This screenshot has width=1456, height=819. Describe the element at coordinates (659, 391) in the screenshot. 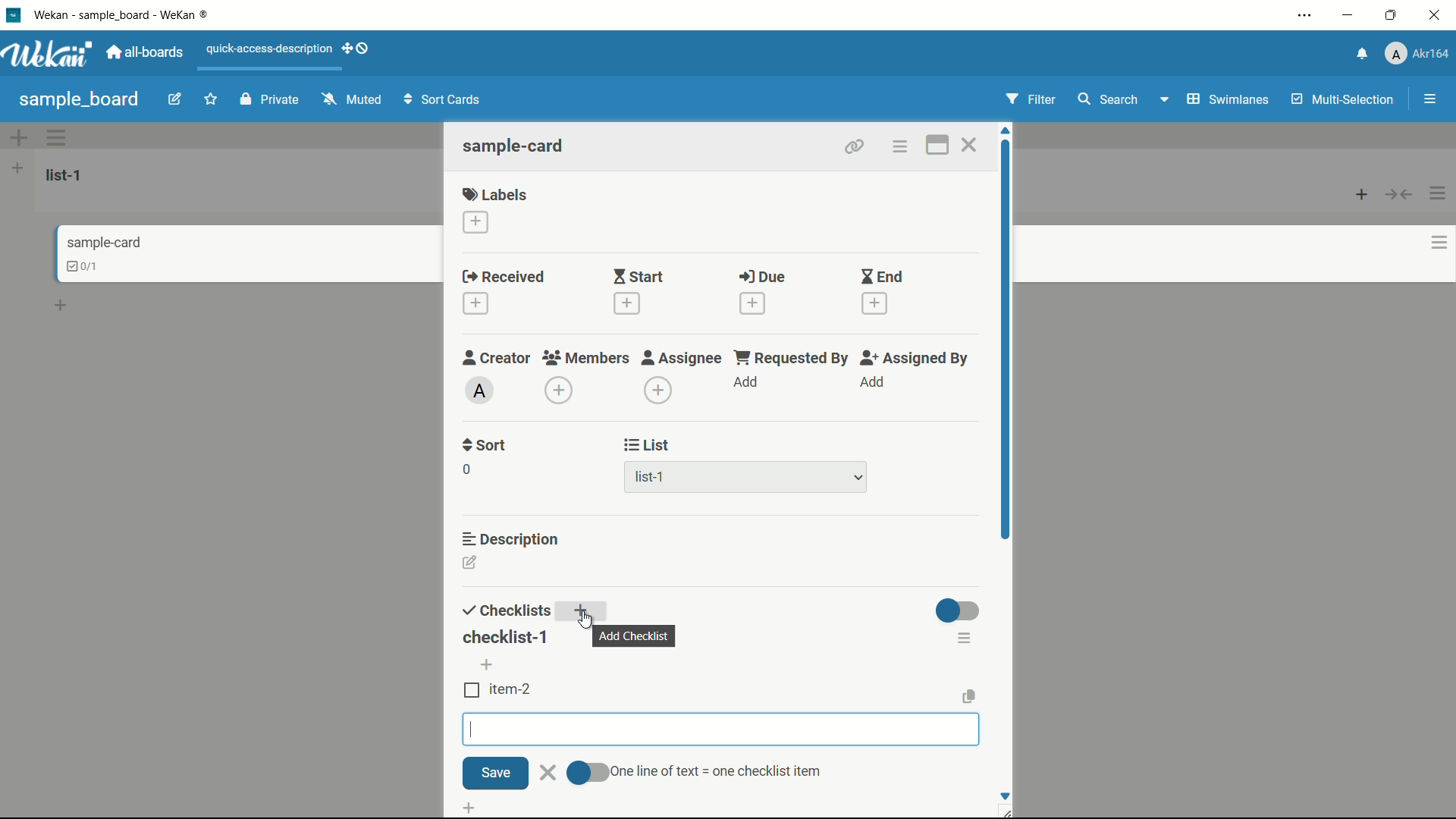

I see `add assignee` at that location.